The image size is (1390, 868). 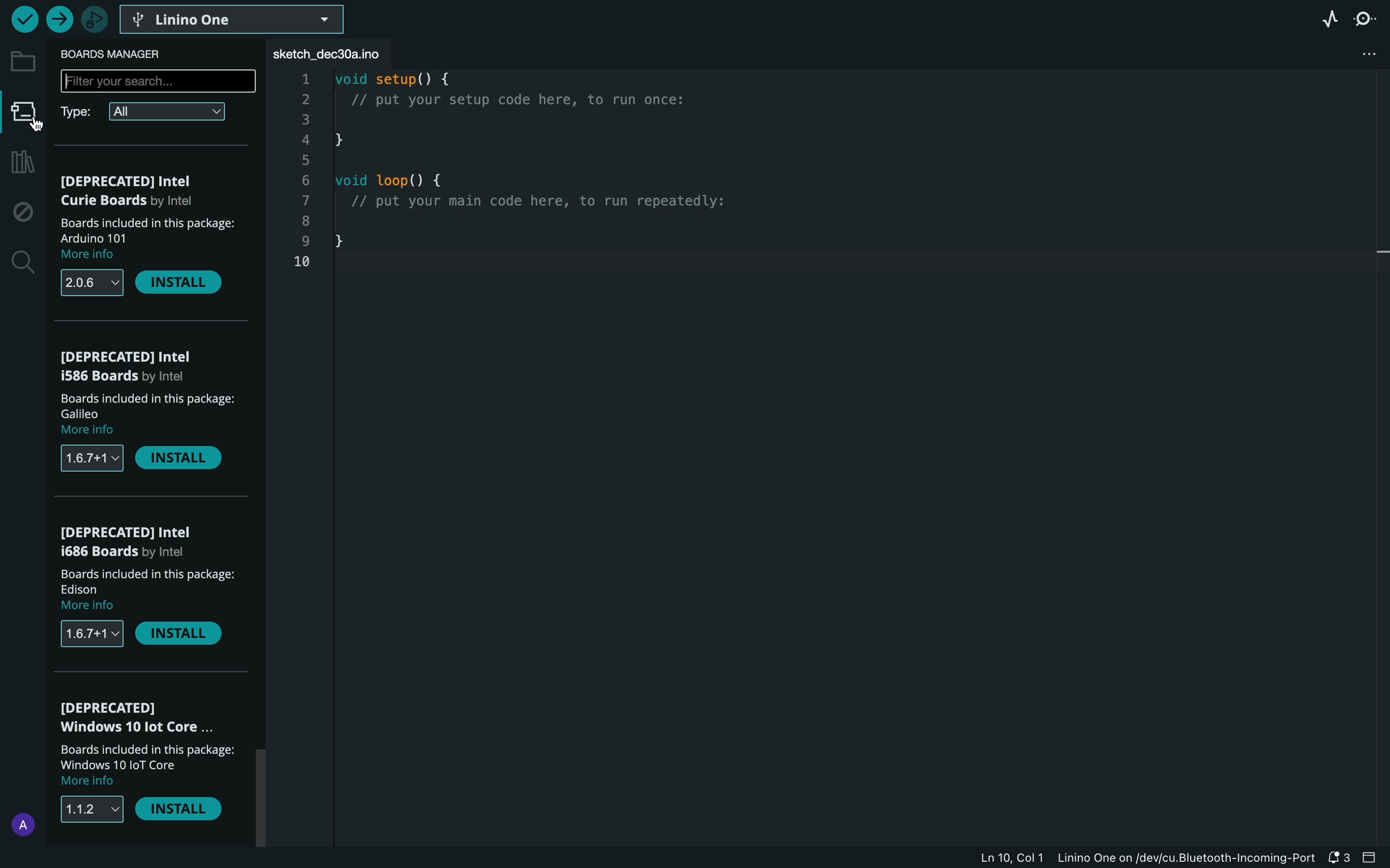 What do you see at coordinates (340, 54) in the screenshot?
I see `file tab` at bounding box center [340, 54].